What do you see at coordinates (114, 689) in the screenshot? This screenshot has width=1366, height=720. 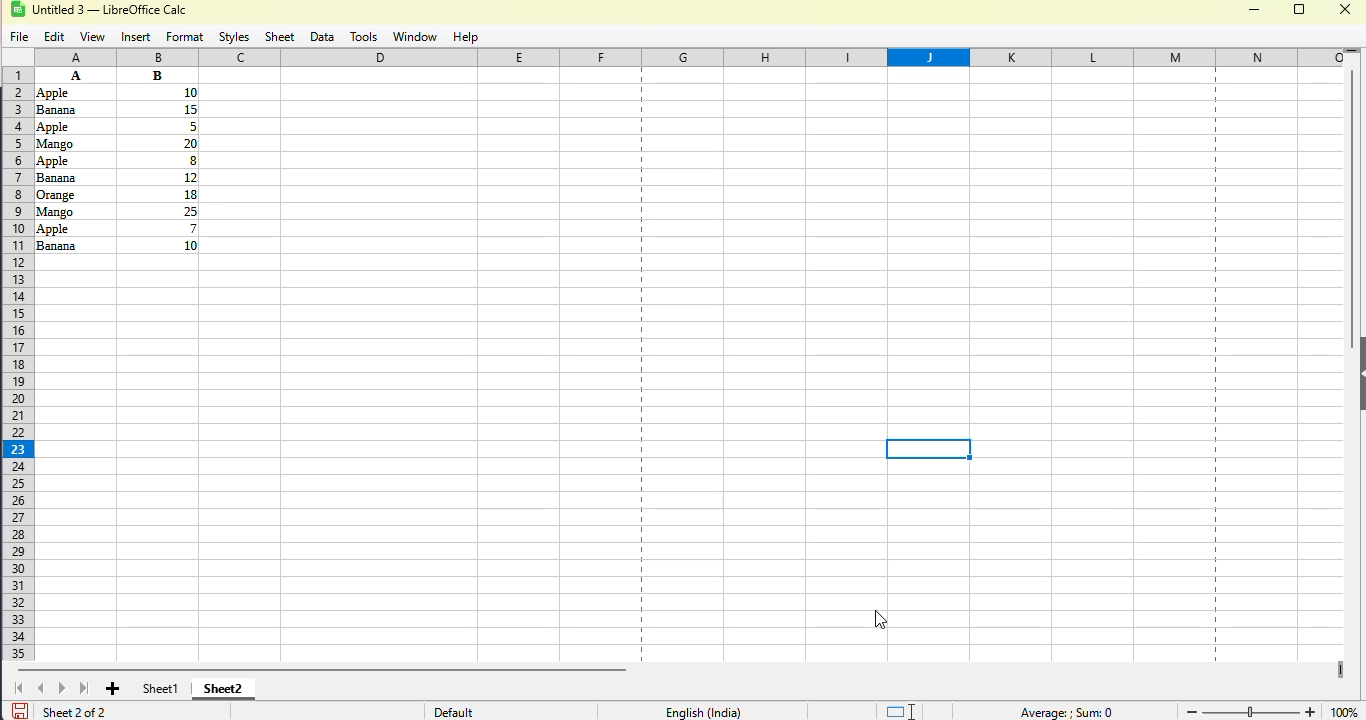 I see `add new sheet` at bounding box center [114, 689].